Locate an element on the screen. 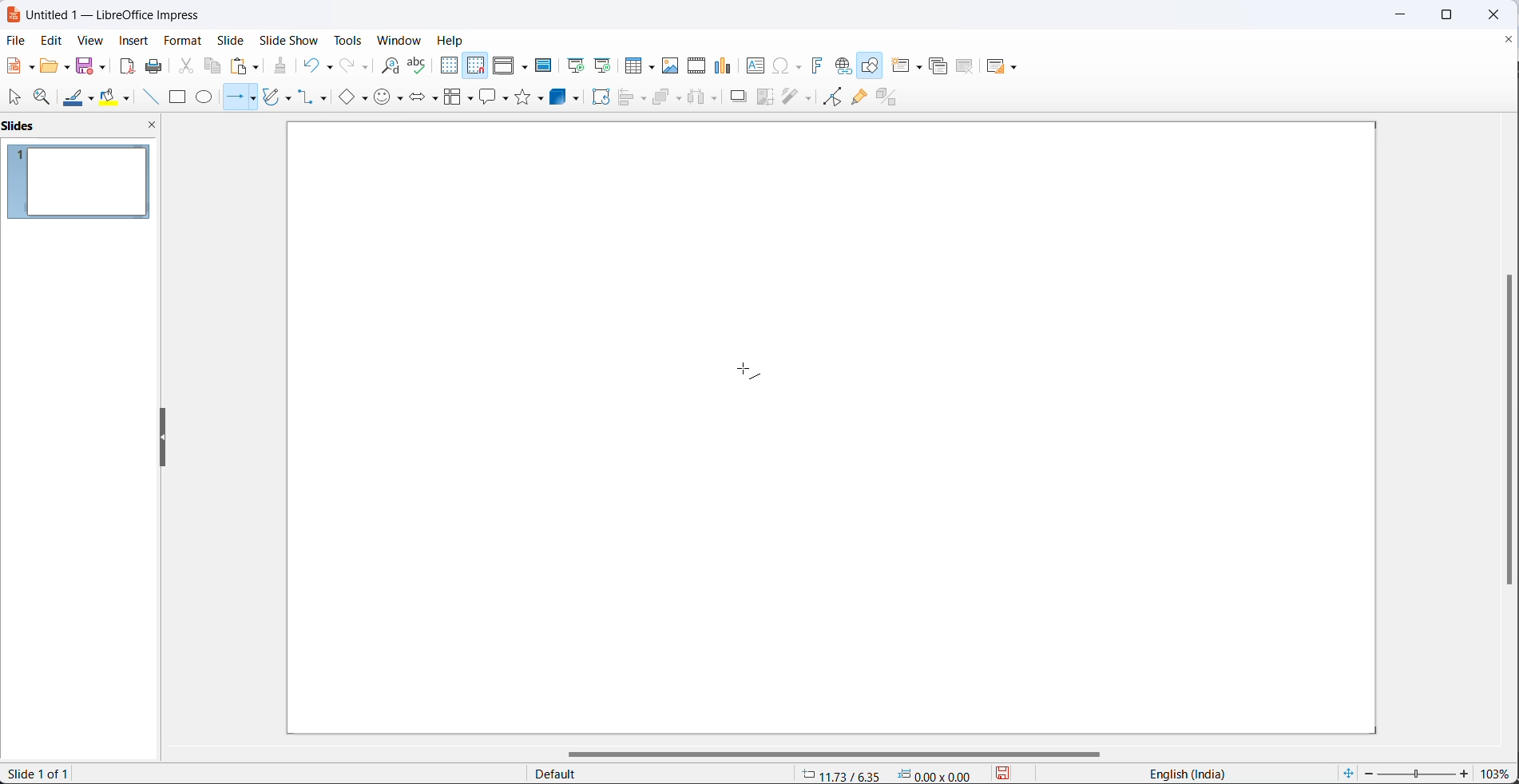 Image resolution: width=1519 pixels, height=784 pixels. cursor is located at coordinates (18, 98).